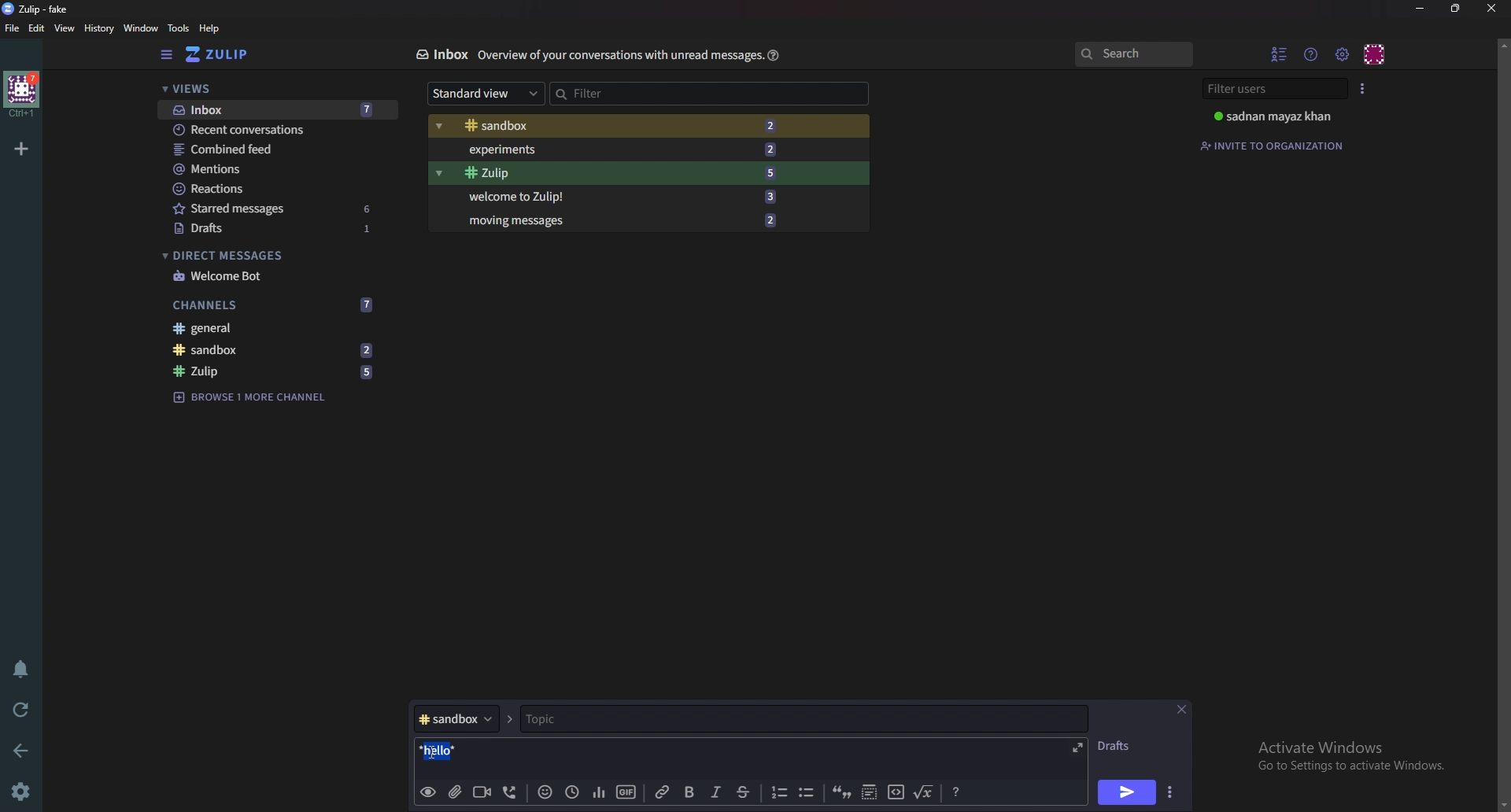 This screenshot has height=812, width=1511. What do you see at coordinates (1359, 751) in the screenshot?
I see `Activate Windows
Go to Settings to activate Windows.` at bounding box center [1359, 751].